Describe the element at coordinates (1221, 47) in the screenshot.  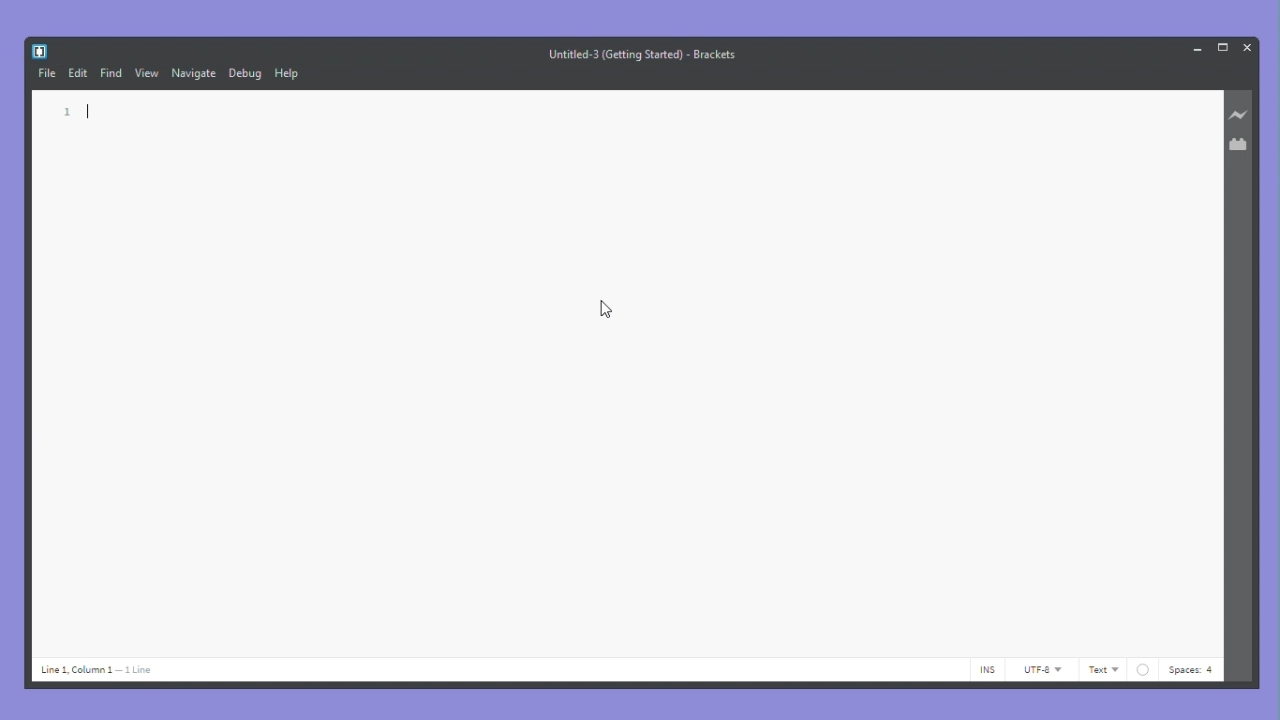
I see `Maximize` at that location.